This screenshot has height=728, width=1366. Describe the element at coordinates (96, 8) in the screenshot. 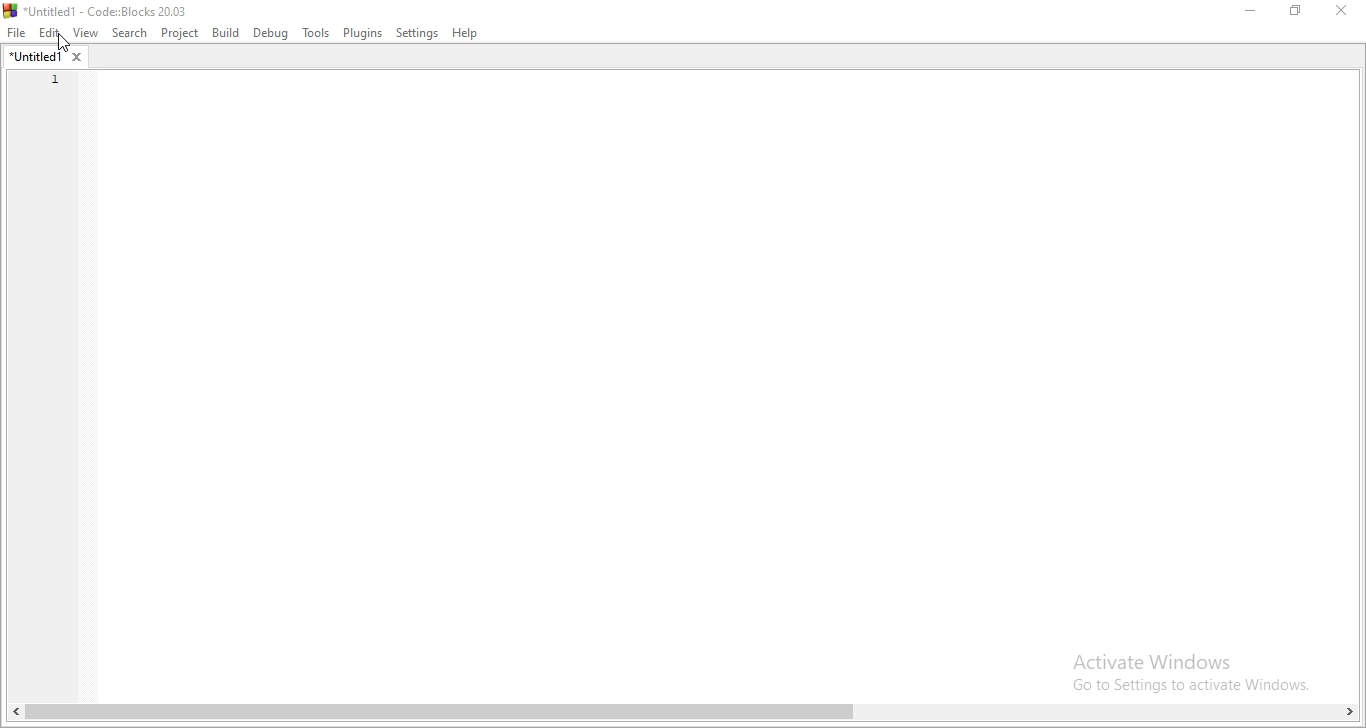

I see `Untitled- Code: Block 20.03` at that location.